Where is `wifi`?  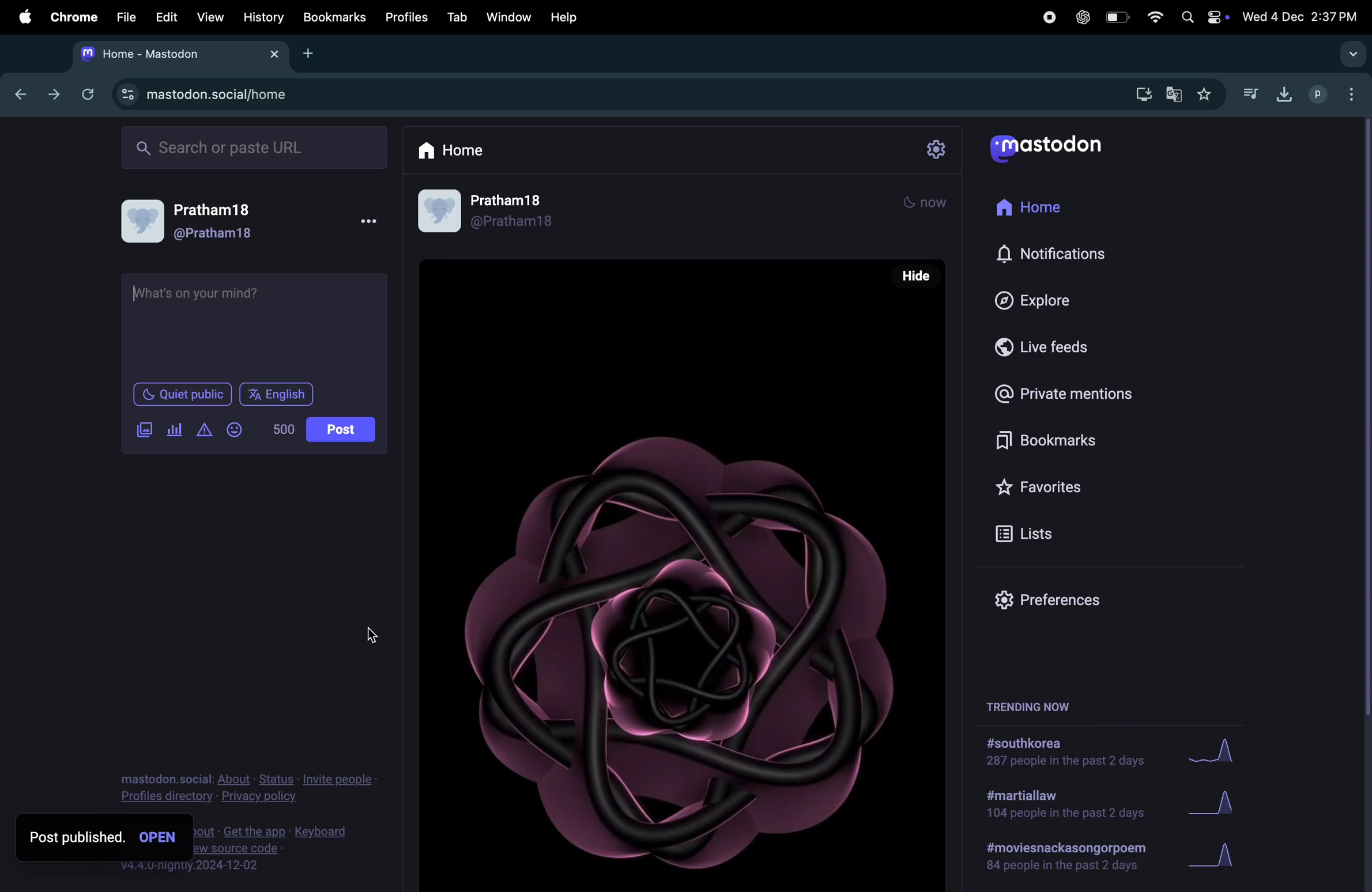
wifi is located at coordinates (1153, 17).